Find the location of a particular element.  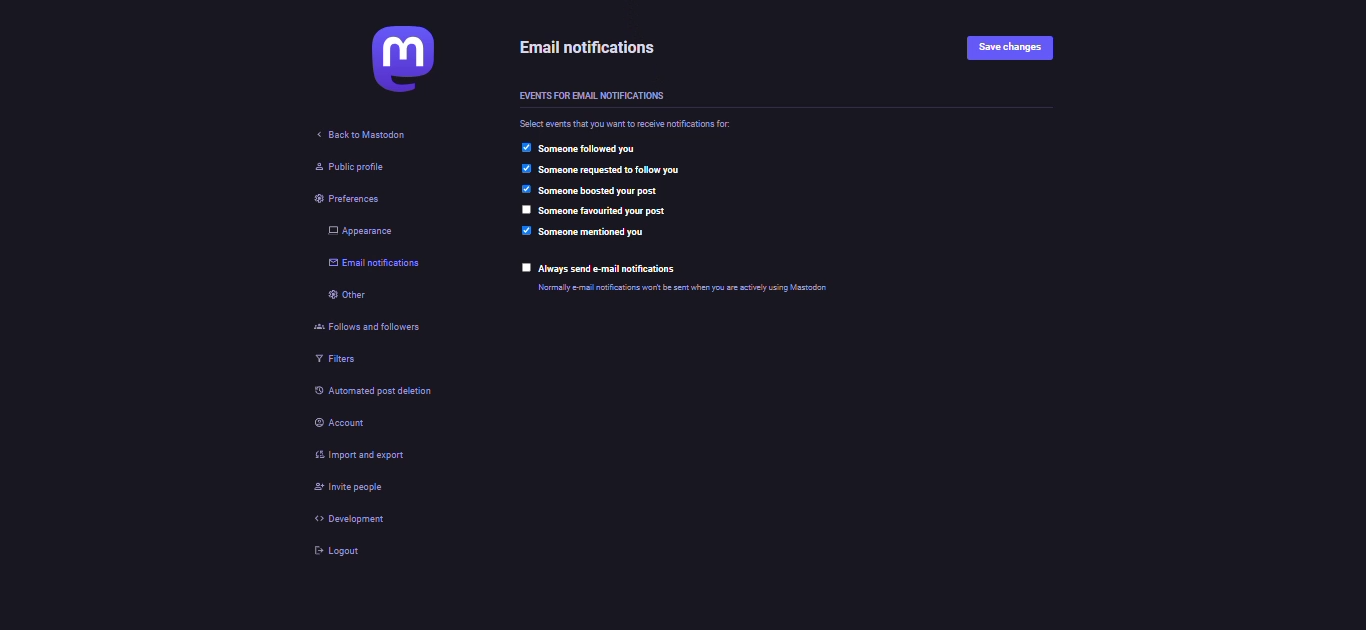

follows and followers is located at coordinates (370, 329).